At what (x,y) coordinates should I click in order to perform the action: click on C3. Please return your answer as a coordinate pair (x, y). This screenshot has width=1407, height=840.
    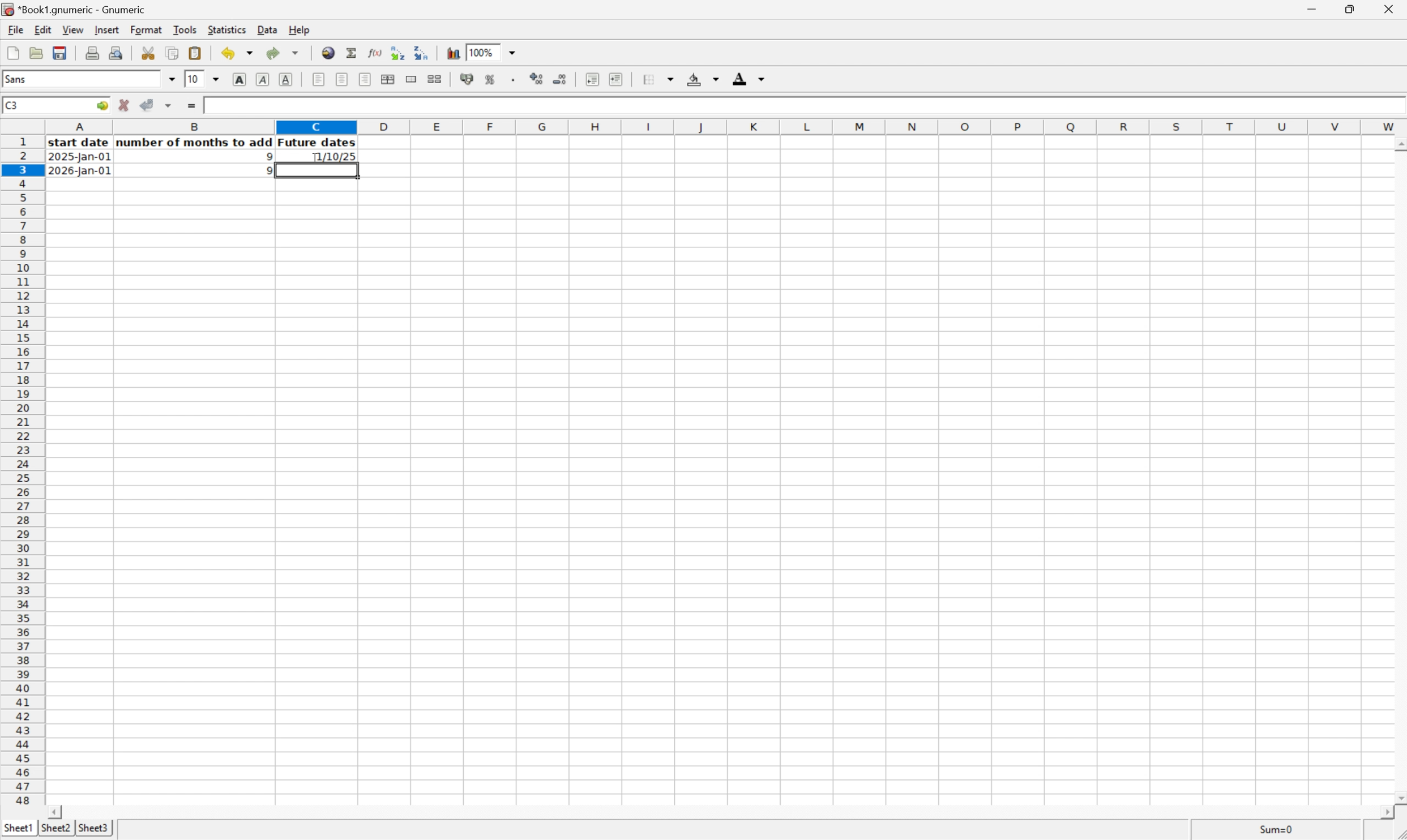
    Looking at the image, I should click on (11, 105).